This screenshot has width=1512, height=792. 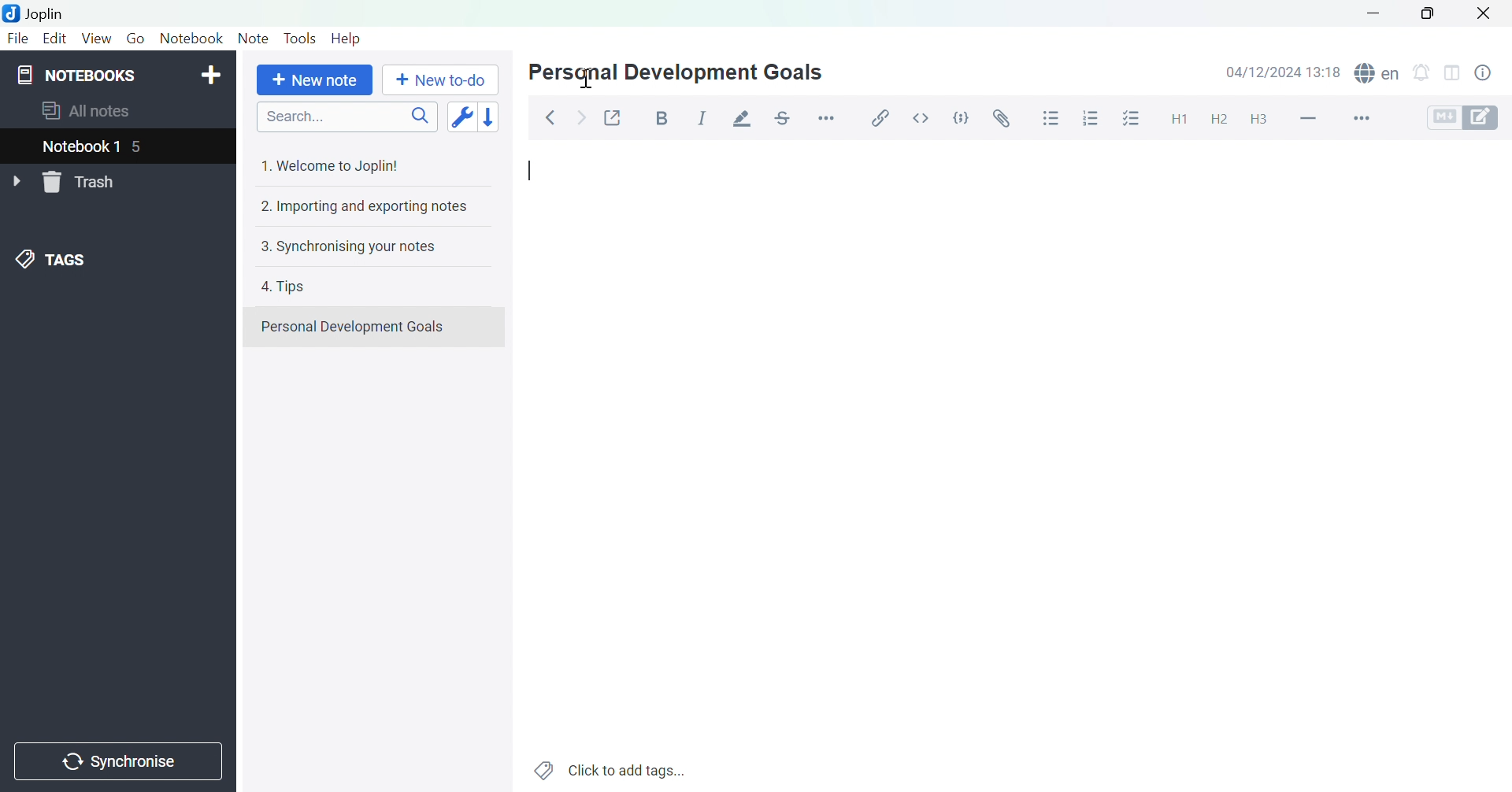 What do you see at coordinates (346, 39) in the screenshot?
I see `Help` at bounding box center [346, 39].